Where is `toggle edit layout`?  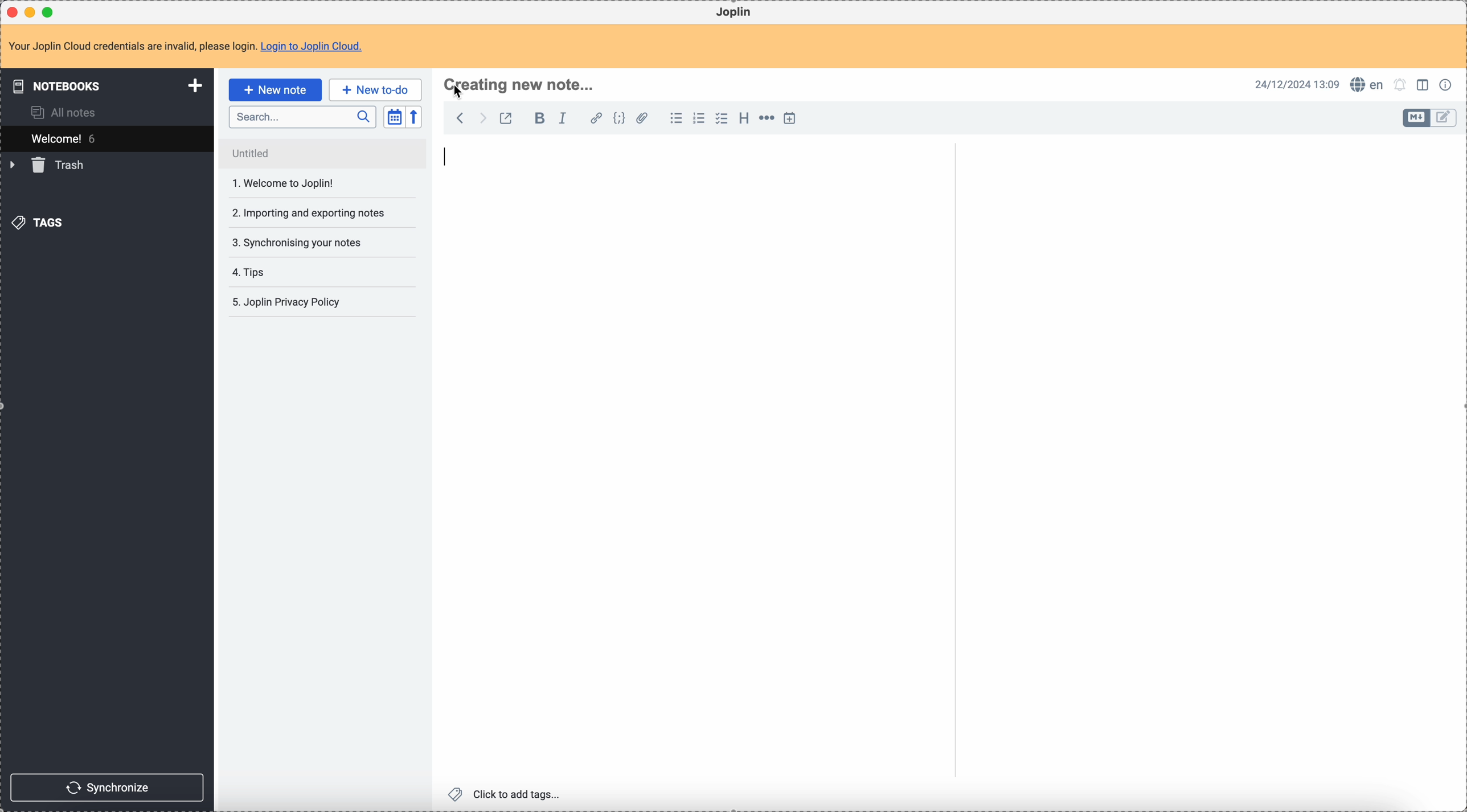 toggle edit layout is located at coordinates (1444, 118).